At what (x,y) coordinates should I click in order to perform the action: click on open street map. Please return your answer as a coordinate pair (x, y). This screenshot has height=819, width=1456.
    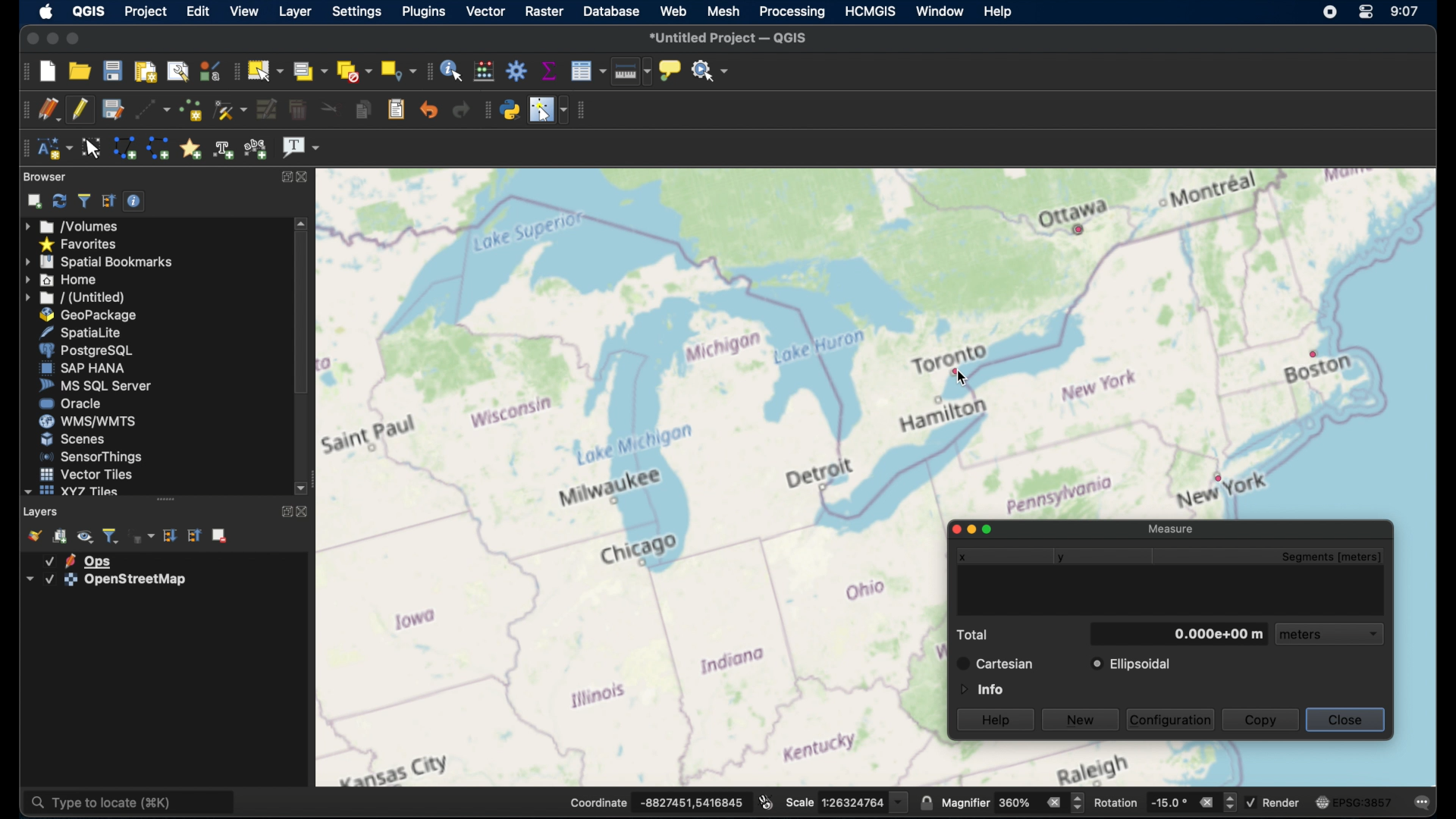
    Looking at the image, I should click on (1369, 293).